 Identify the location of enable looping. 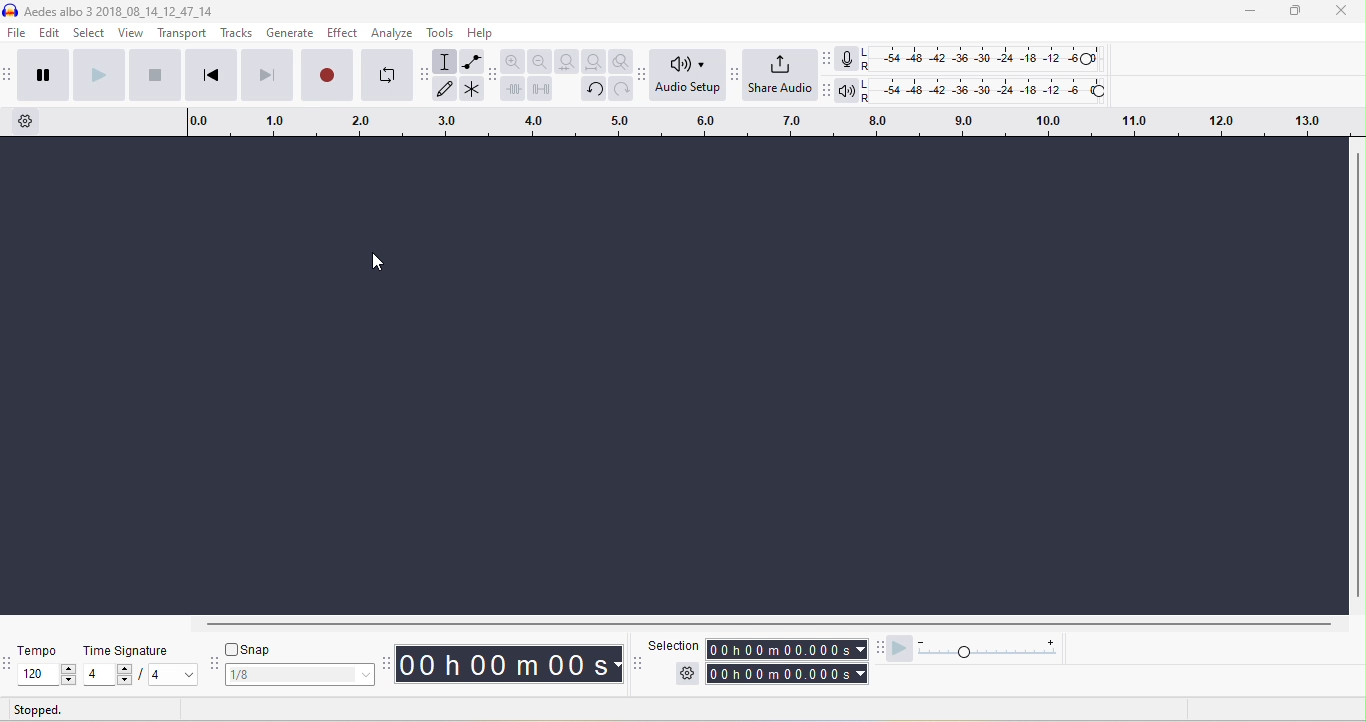
(387, 74).